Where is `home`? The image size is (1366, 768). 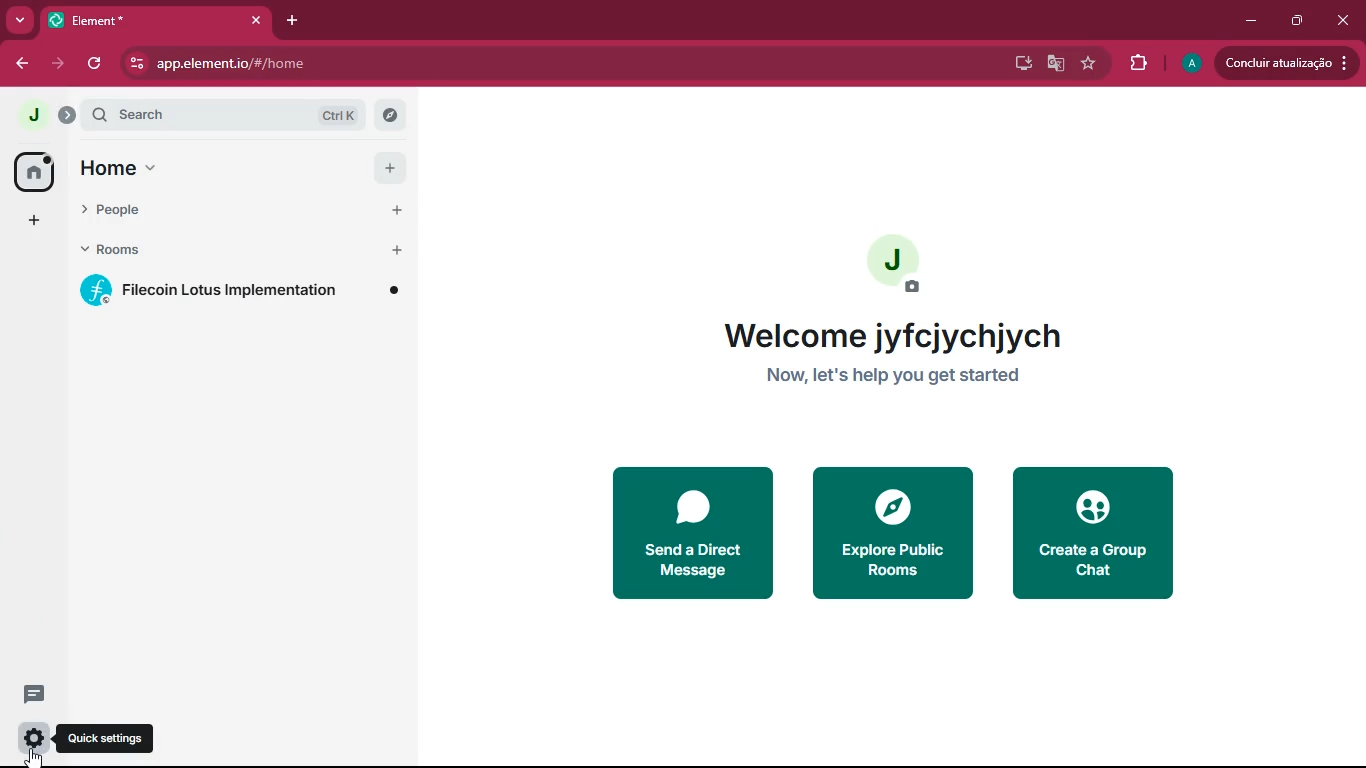 home is located at coordinates (32, 172).